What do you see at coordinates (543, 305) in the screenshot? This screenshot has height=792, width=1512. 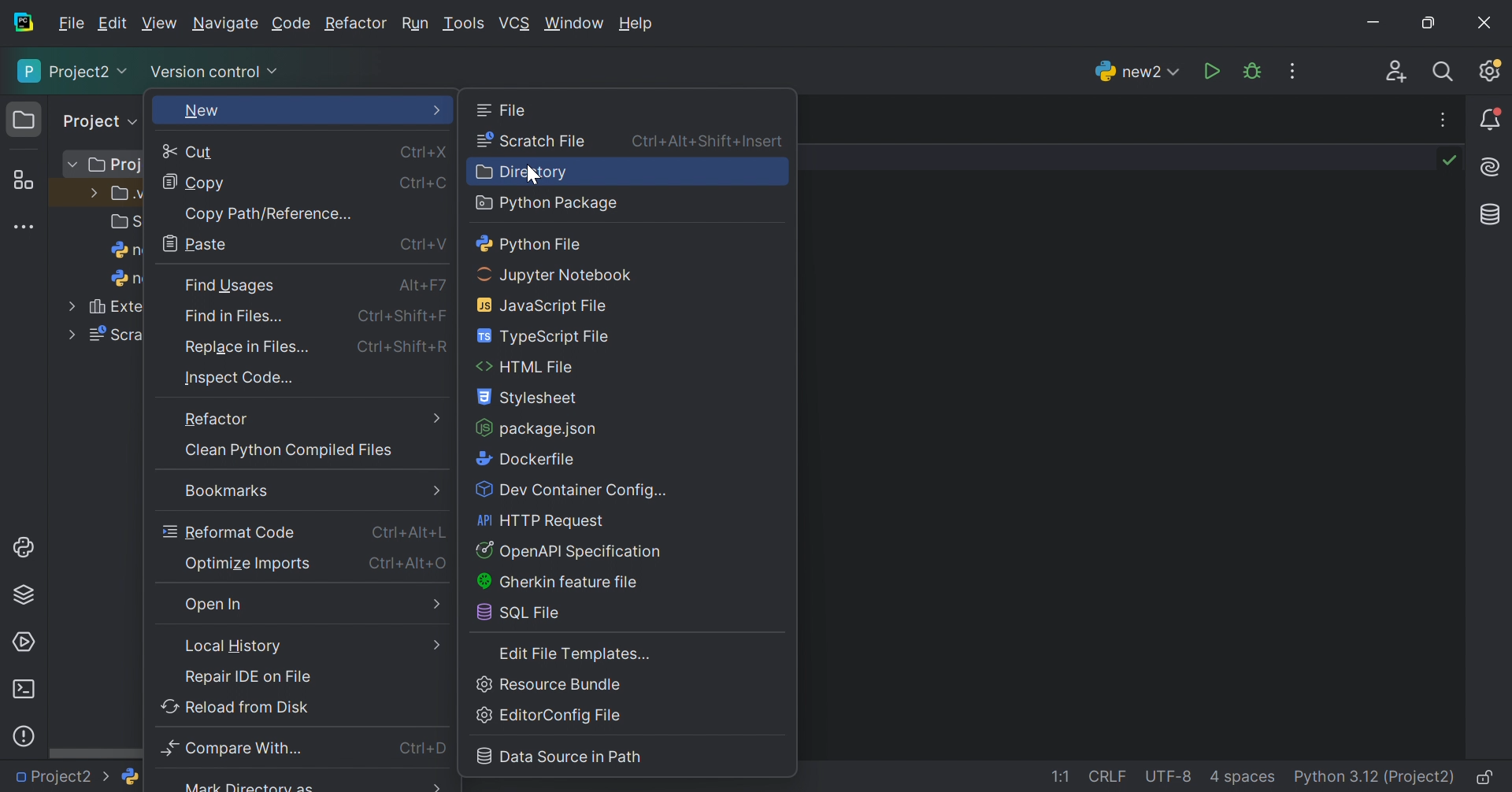 I see `JavaScript file` at bounding box center [543, 305].